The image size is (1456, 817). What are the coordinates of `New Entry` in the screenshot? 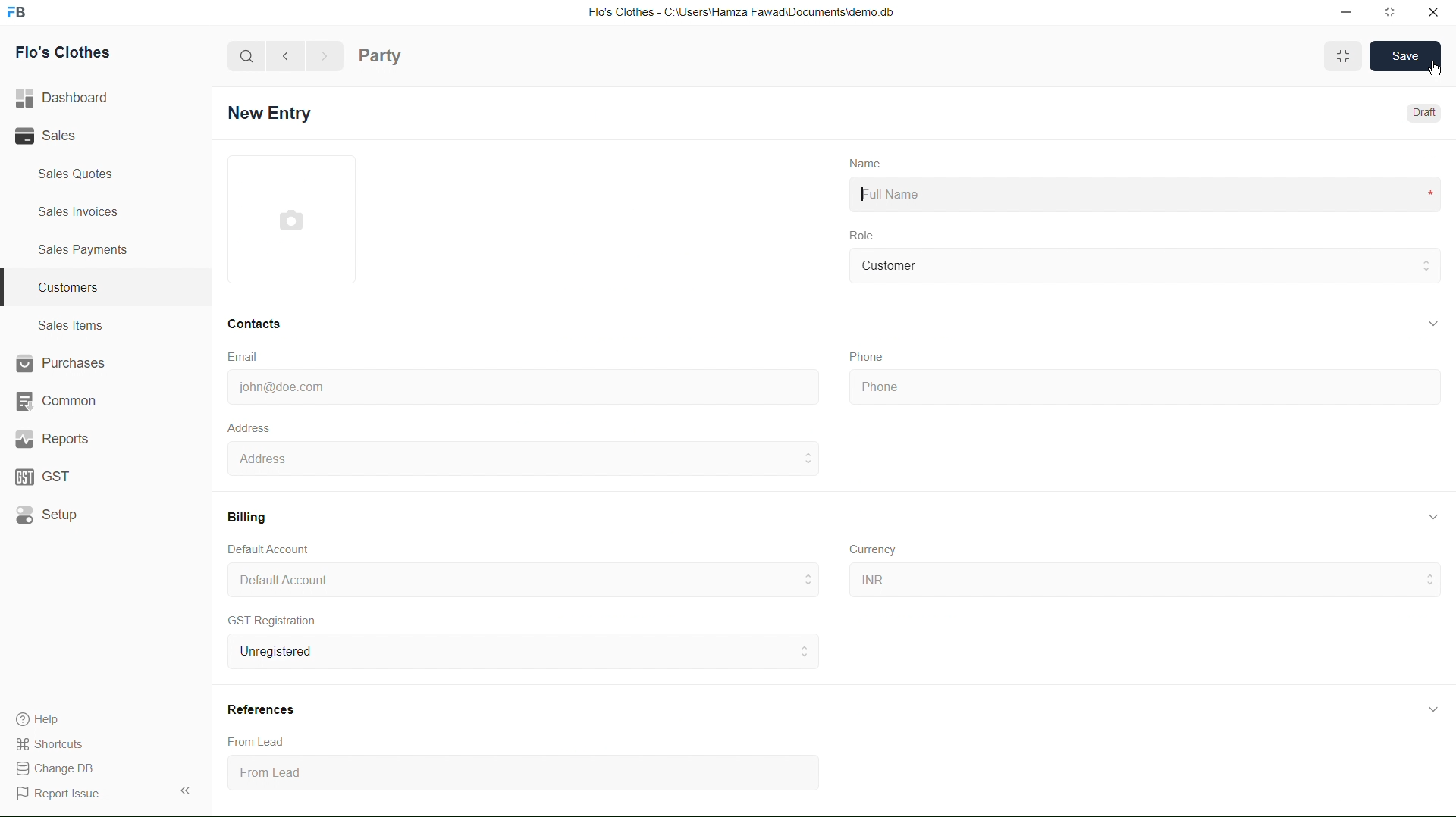 It's located at (271, 112).